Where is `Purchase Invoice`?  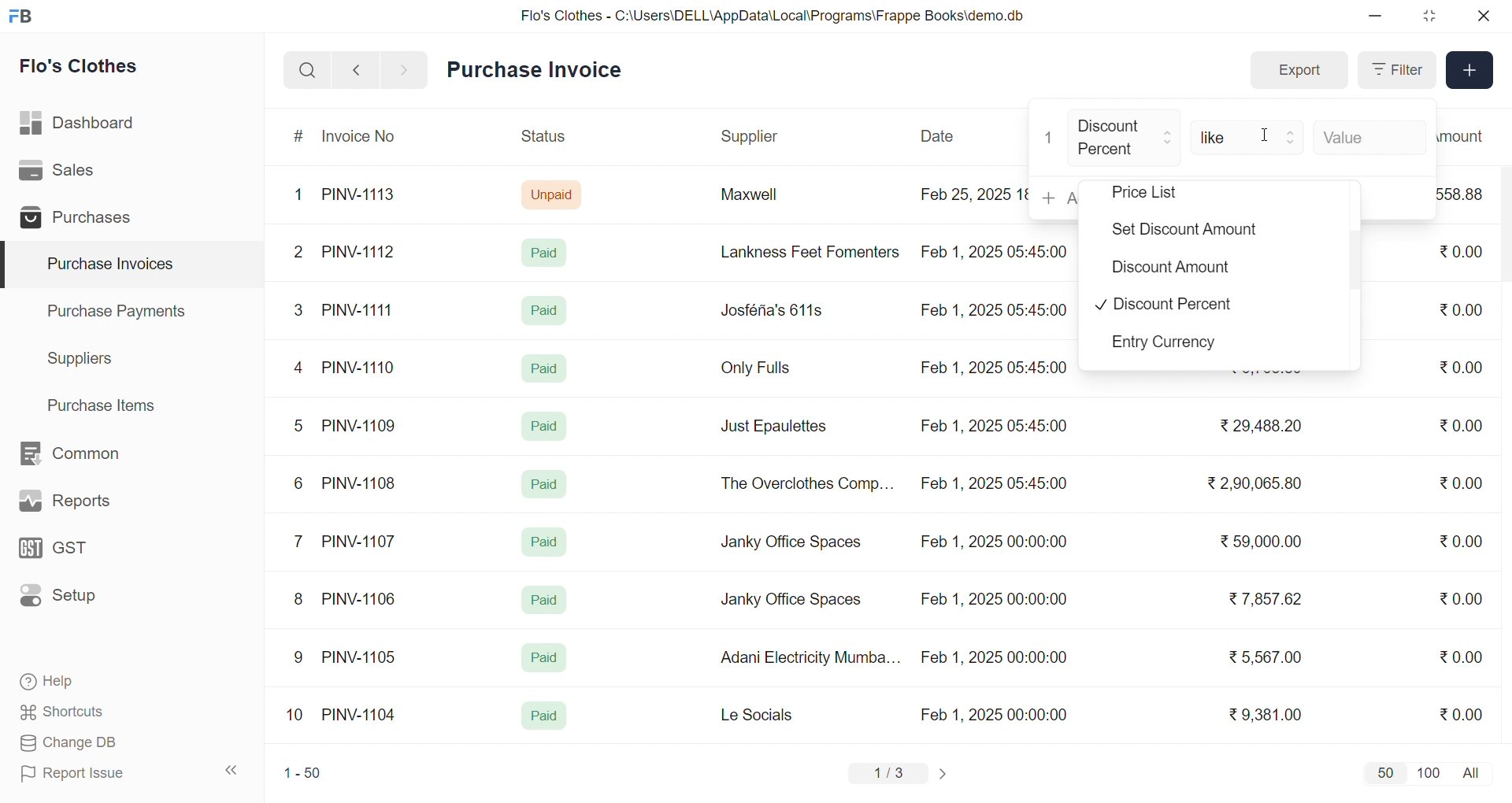 Purchase Invoice is located at coordinates (539, 70).